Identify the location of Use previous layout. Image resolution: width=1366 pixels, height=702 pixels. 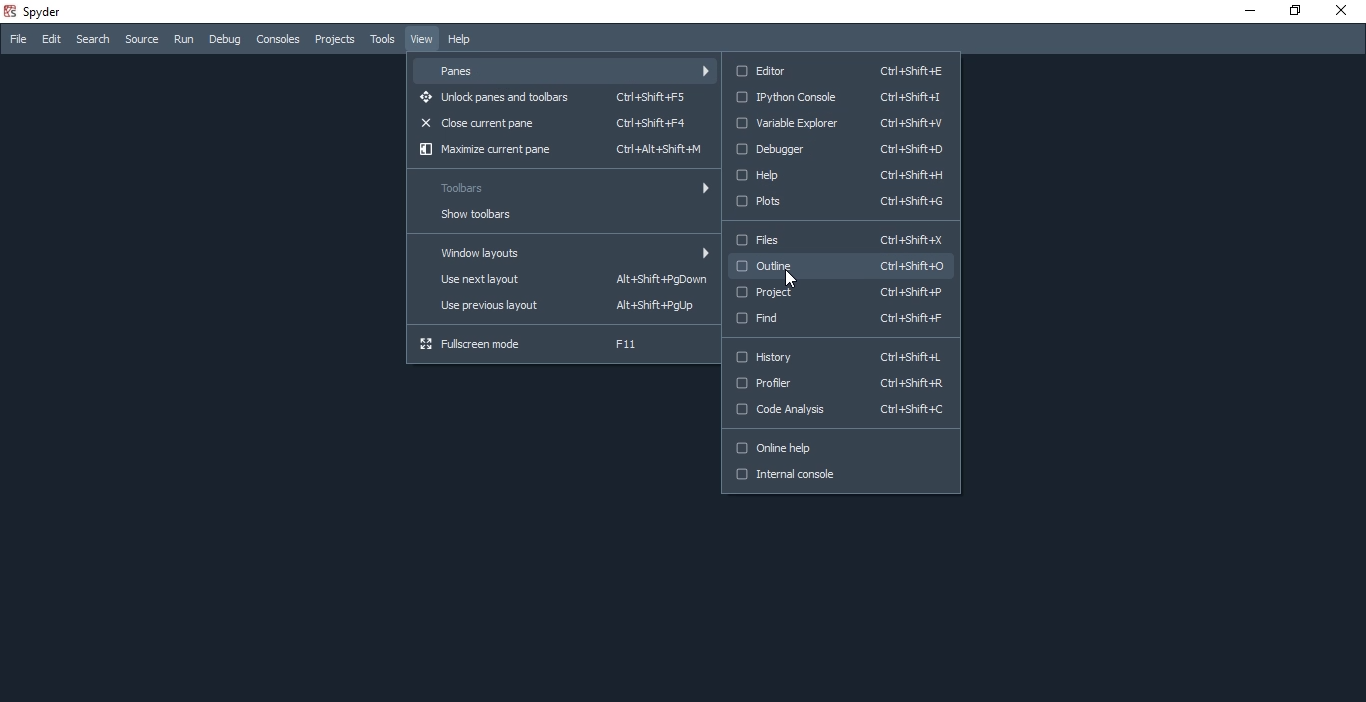
(560, 304).